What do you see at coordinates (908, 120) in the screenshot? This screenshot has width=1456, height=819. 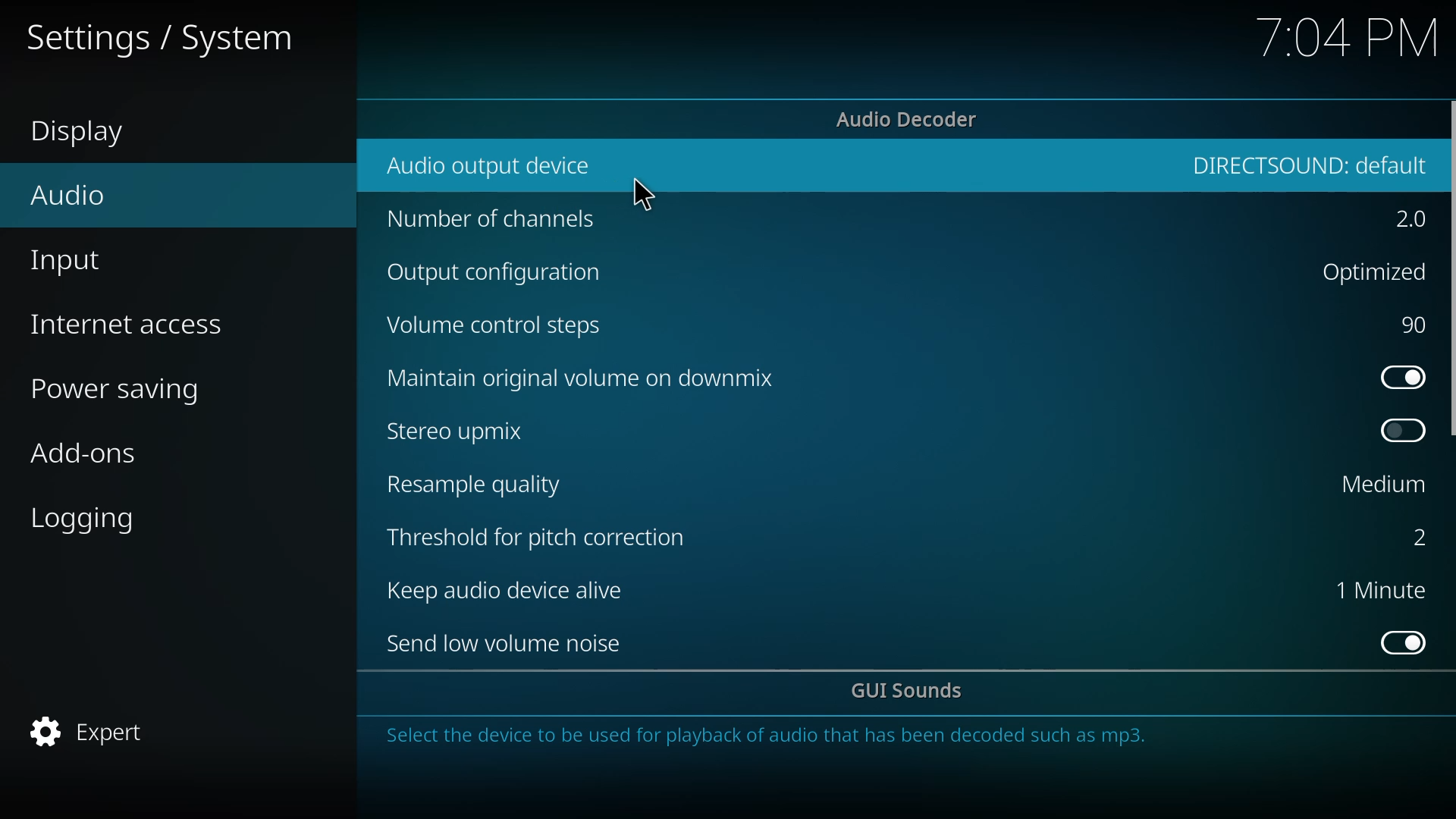 I see `audio decoder` at bounding box center [908, 120].